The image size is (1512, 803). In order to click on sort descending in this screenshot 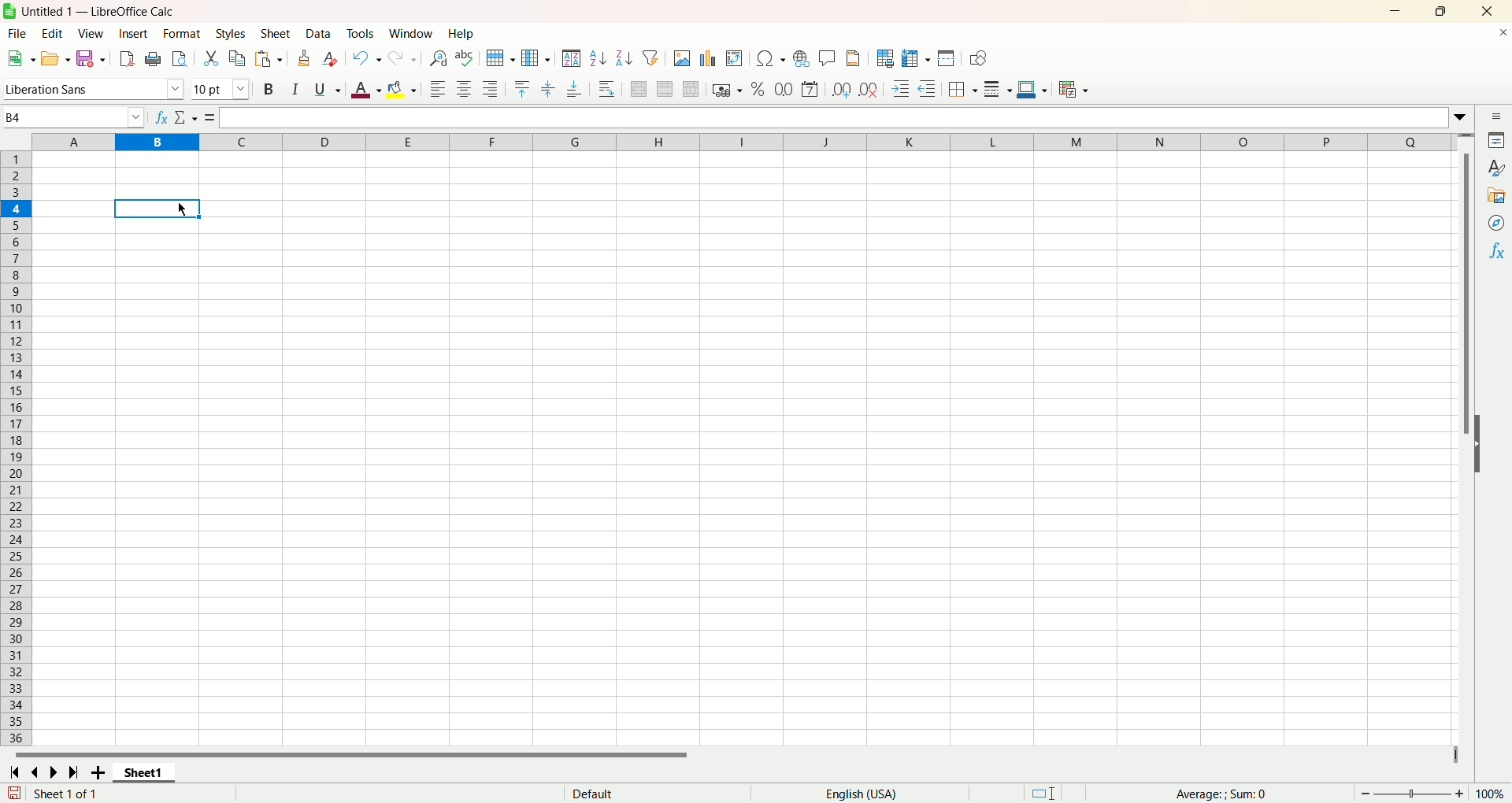, I will do `click(625, 58)`.